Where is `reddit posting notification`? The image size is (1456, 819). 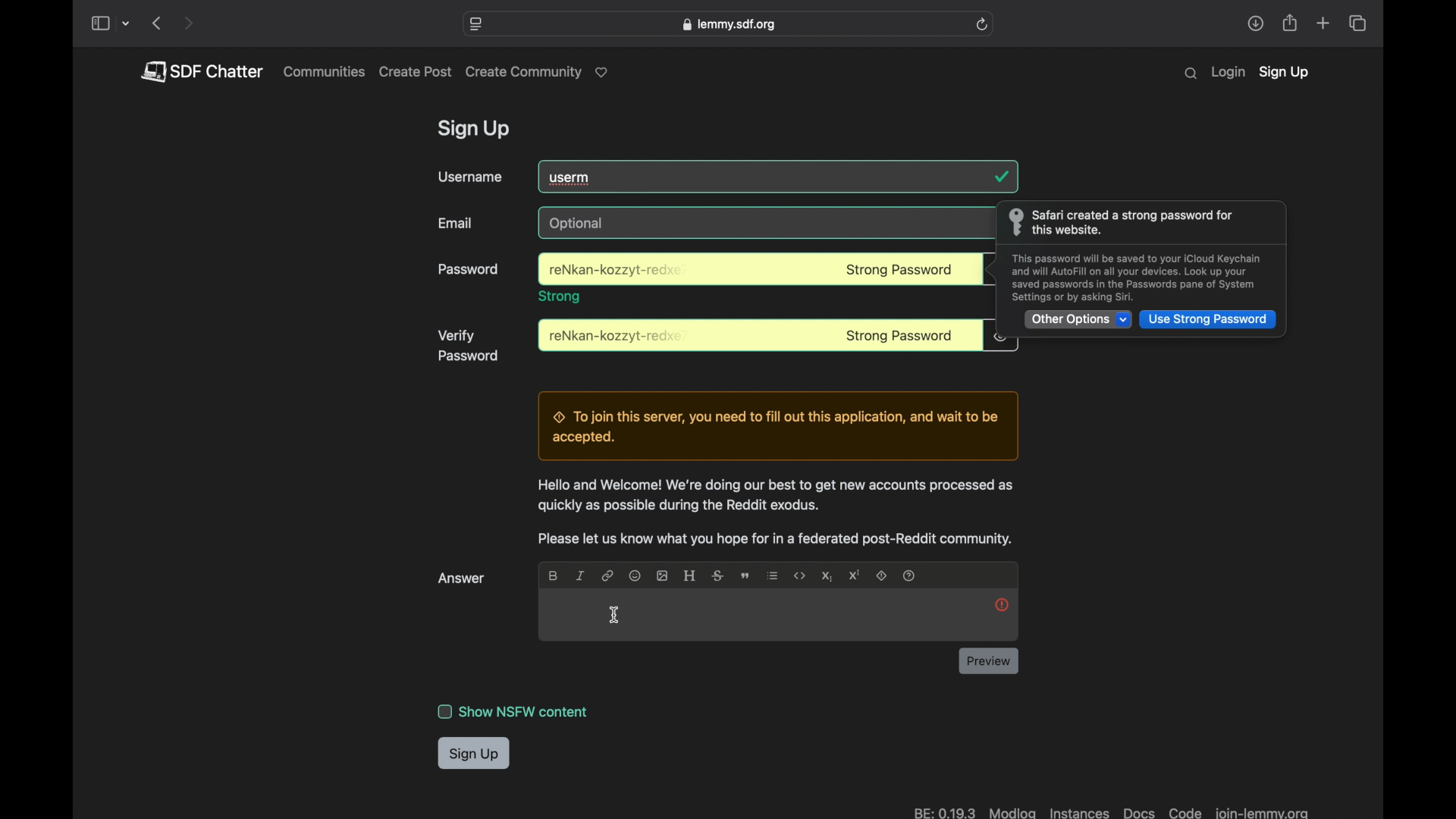 reddit posting notification is located at coordinates (774, 540).